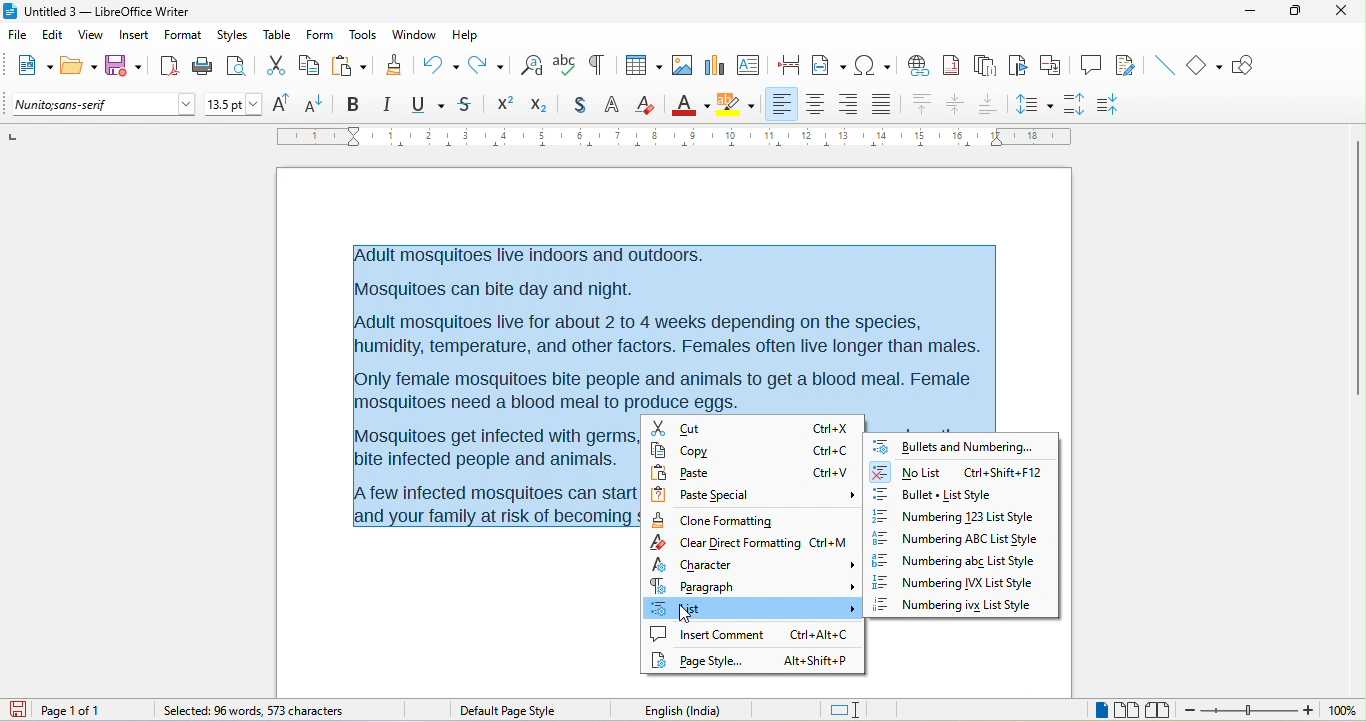 The width and height of the screenshot is (1366, 722). I want to click on numbering ivx list style, so click(963, 606).